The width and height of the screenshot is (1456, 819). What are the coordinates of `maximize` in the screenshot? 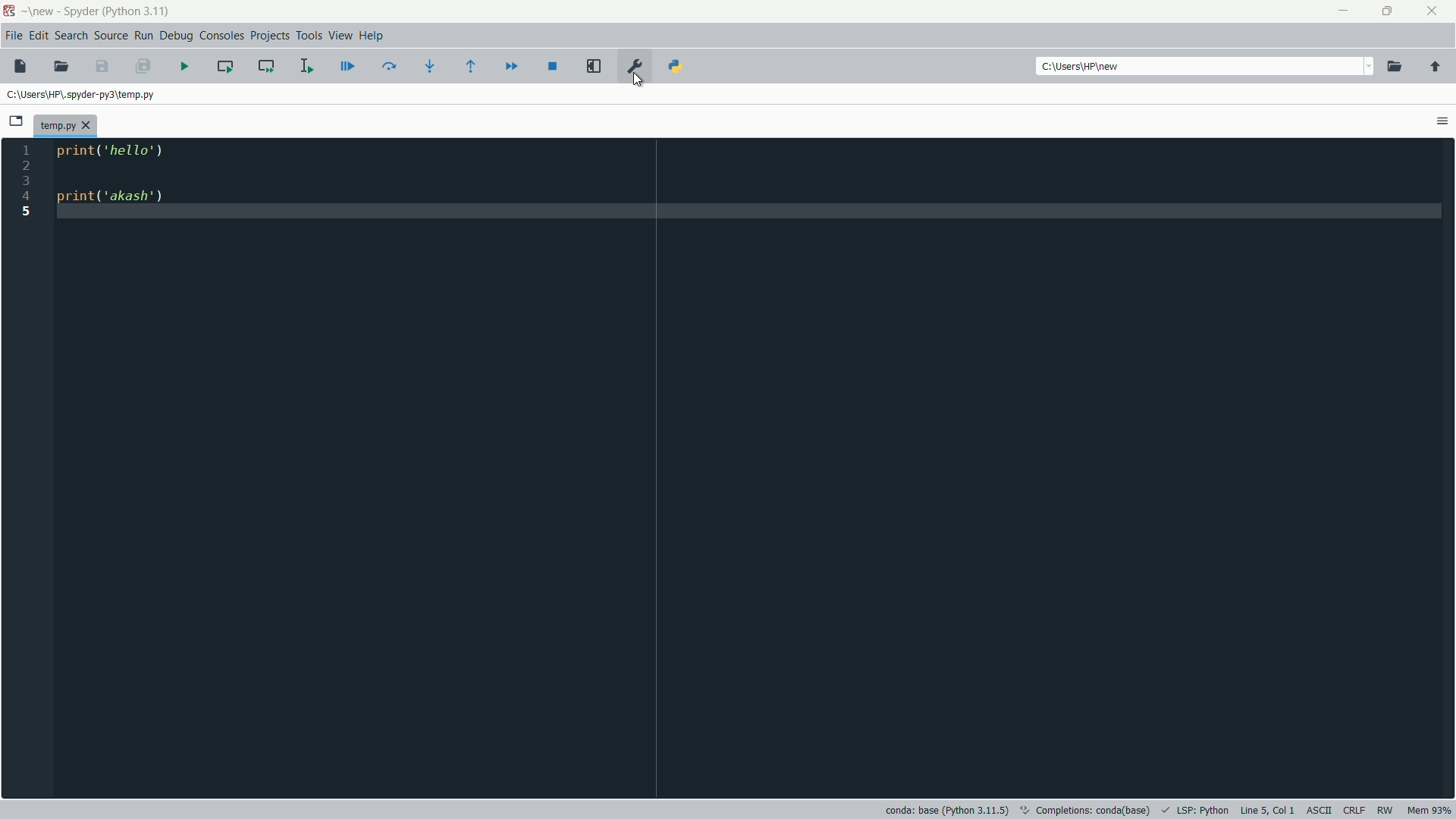 It's located at (1389, 12).